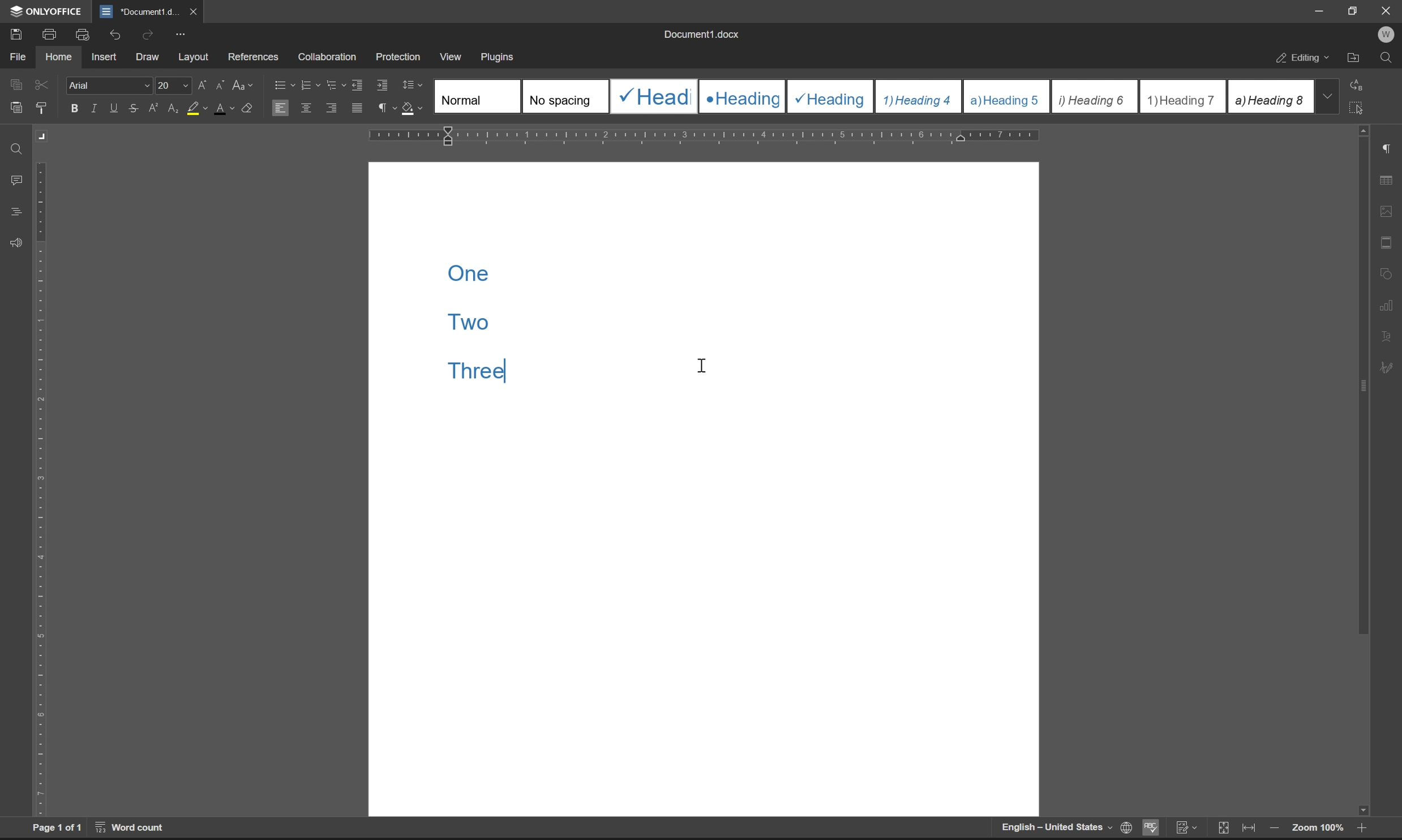 This screenshot has height=840, width=1402. Describe the element at coordinates (254, 54) in the screenshot. I see `references` at that location.